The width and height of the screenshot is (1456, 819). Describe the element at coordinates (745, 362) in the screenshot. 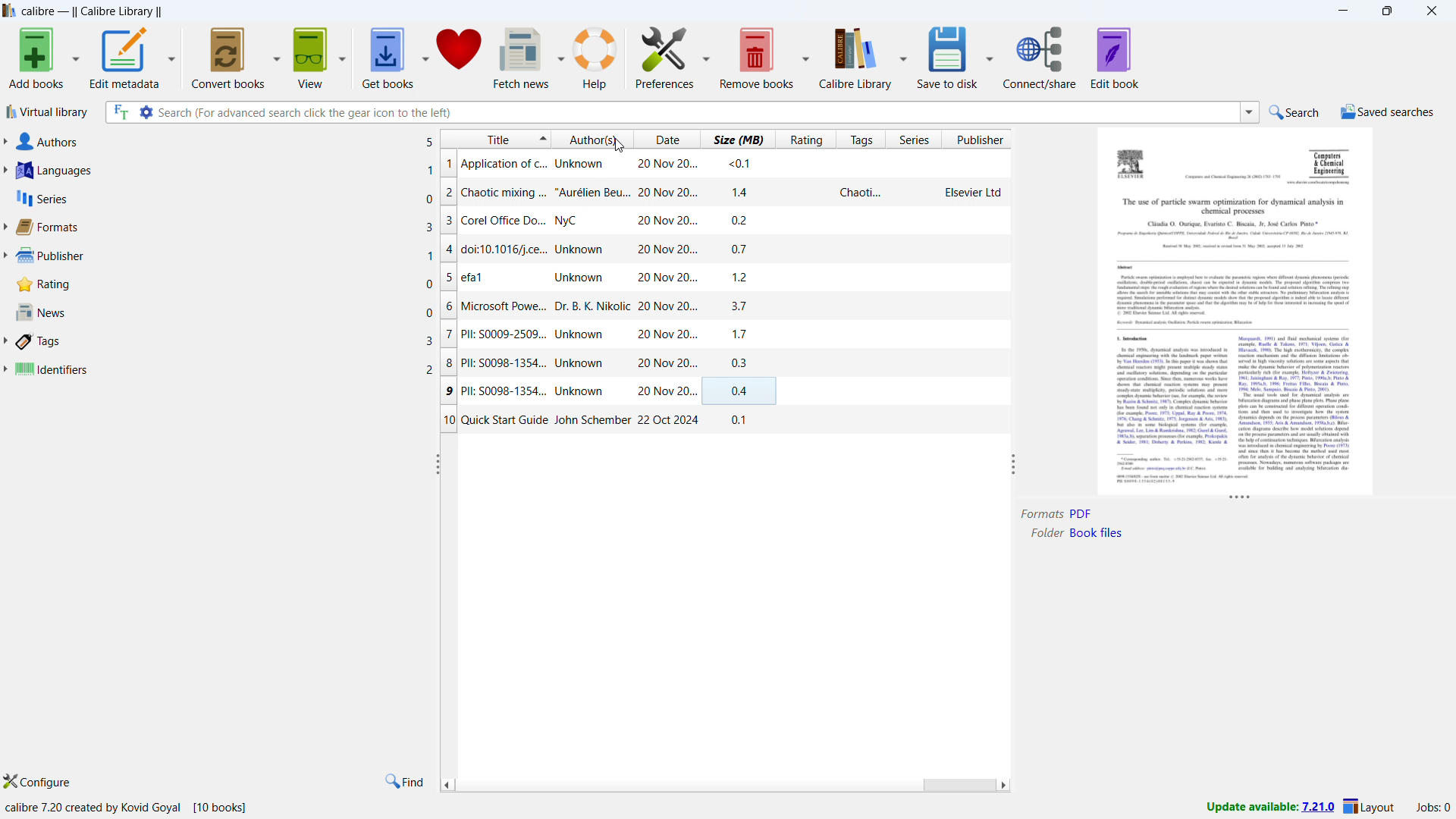

I see `03` at that location.